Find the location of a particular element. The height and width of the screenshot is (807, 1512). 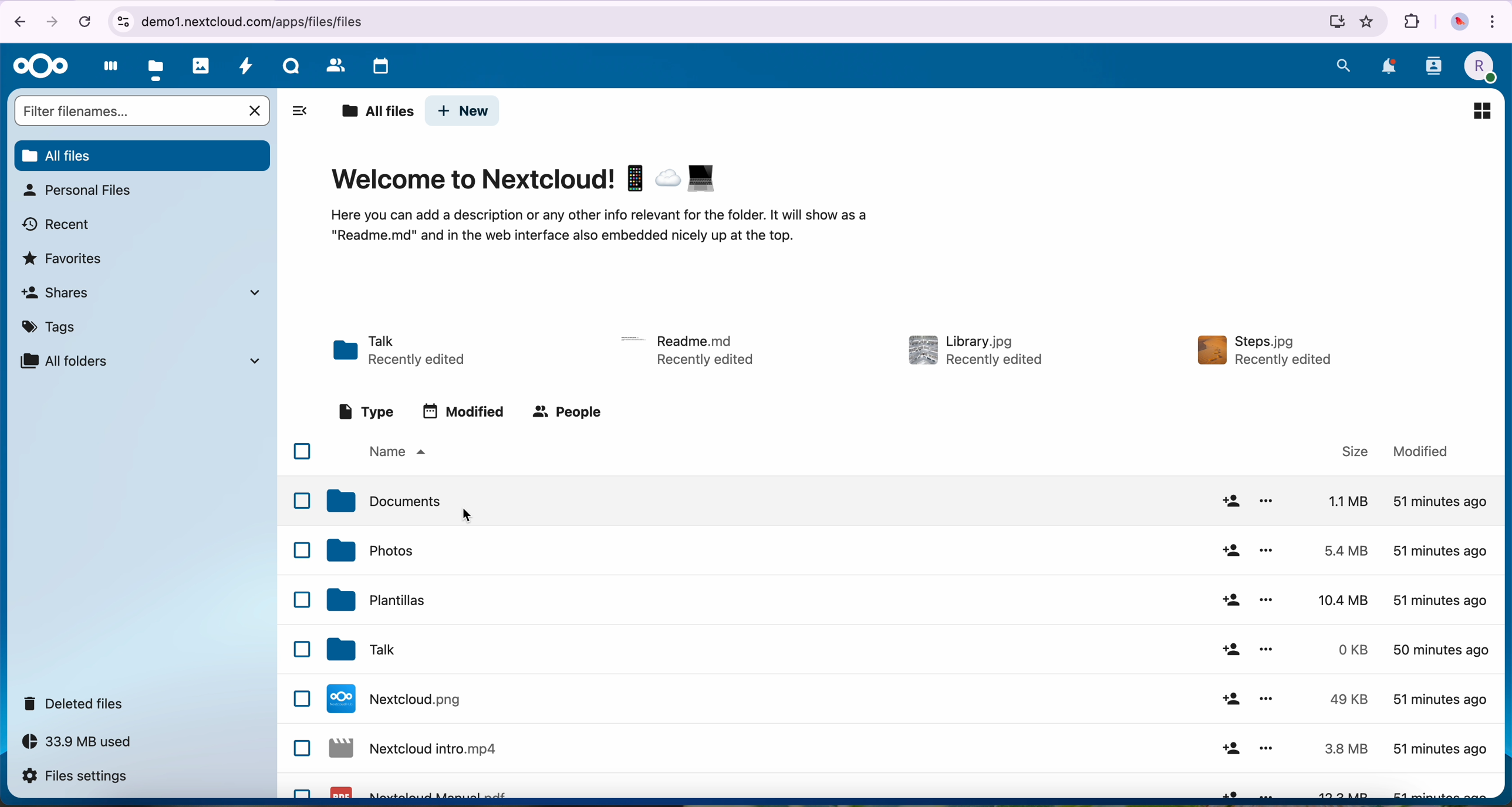

checkbox is located at coordinates (303, 698).